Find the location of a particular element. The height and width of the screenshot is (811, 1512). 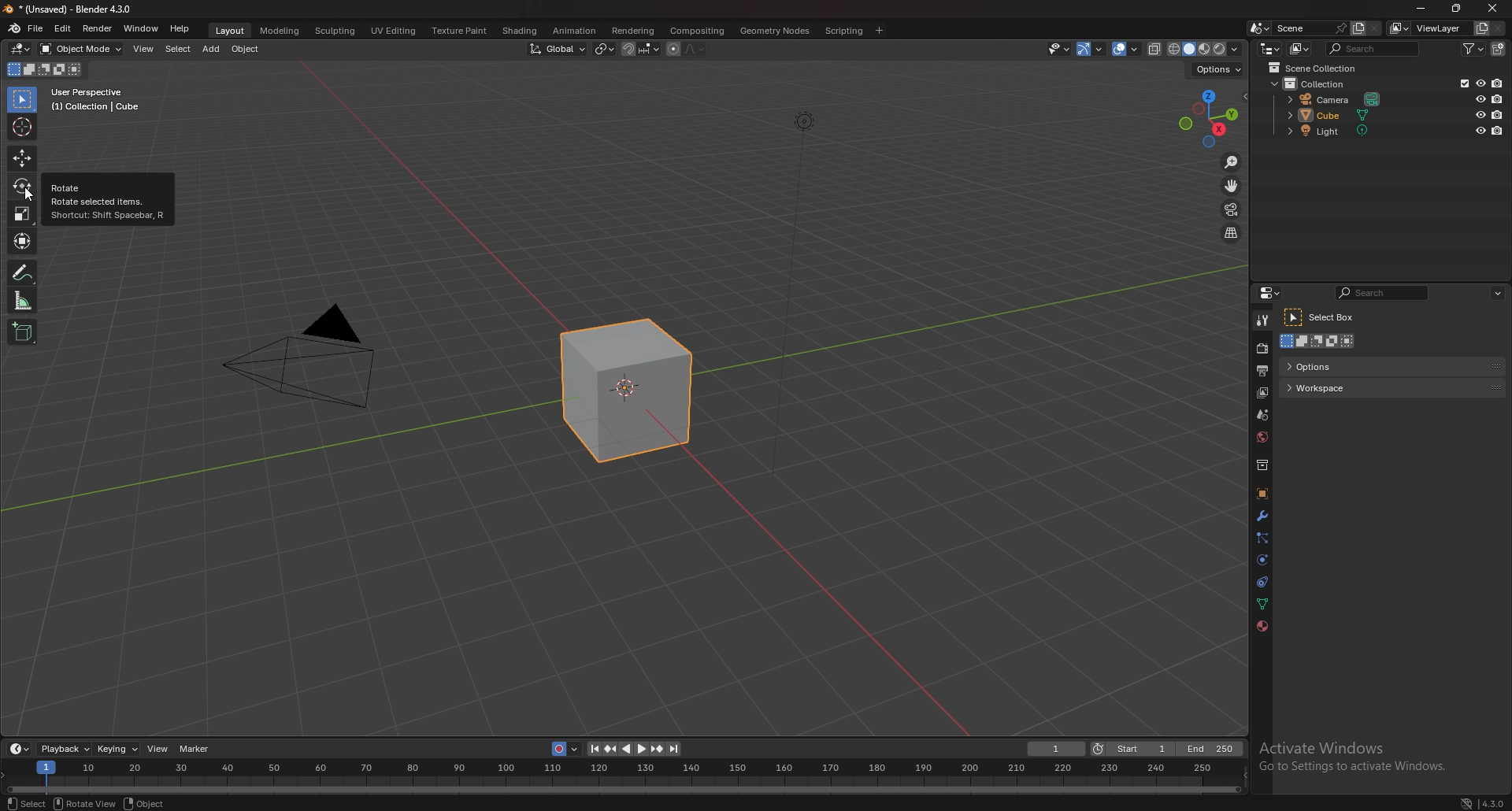

add view layer is located at coordinates (1482, 28).